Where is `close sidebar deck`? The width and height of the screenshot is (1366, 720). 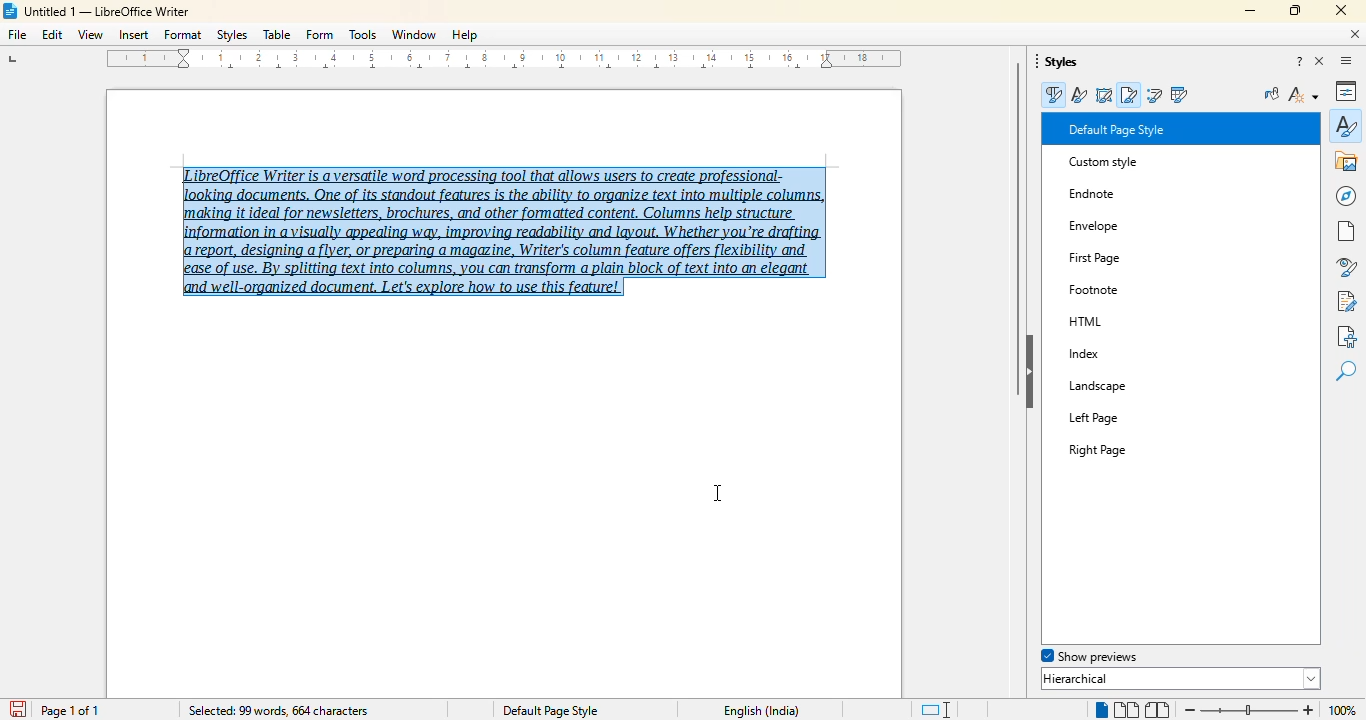
close sidebar deck is located at coordinates (1321, 62).